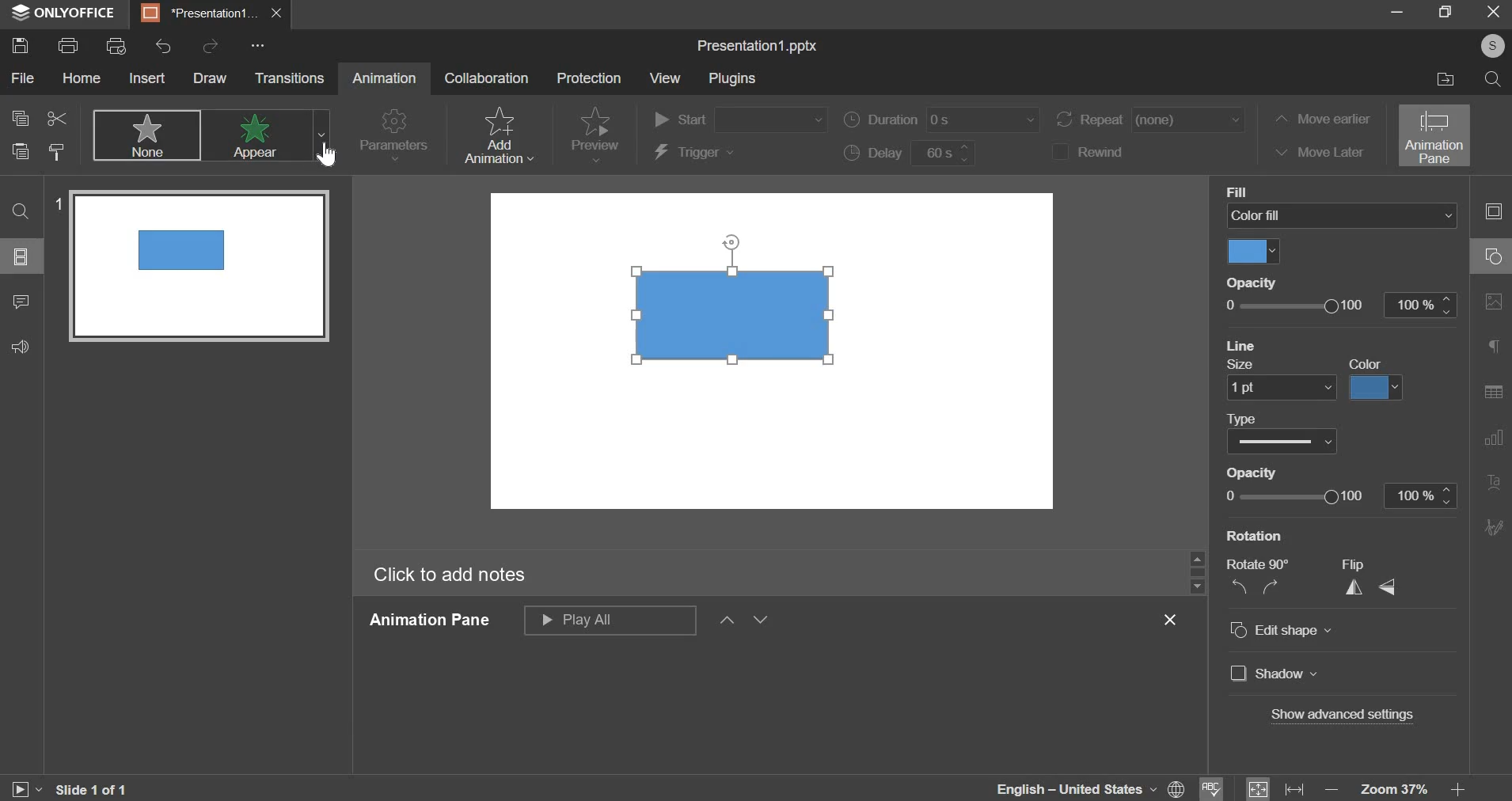  I want to click on preview, so click(596, 129).